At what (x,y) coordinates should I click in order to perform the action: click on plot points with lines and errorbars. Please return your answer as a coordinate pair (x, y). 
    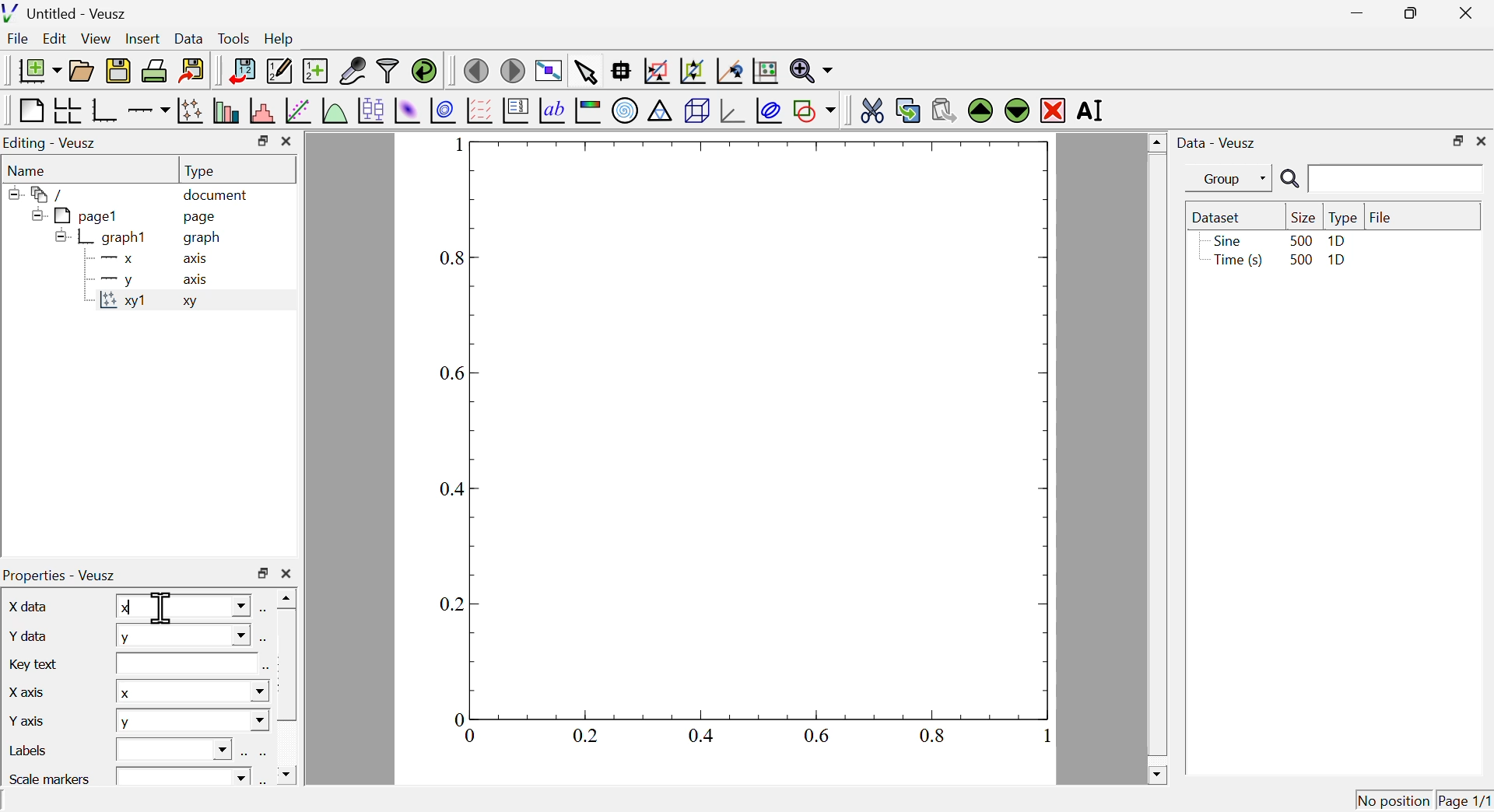
    Looking at the image, I should click on (190, 110).